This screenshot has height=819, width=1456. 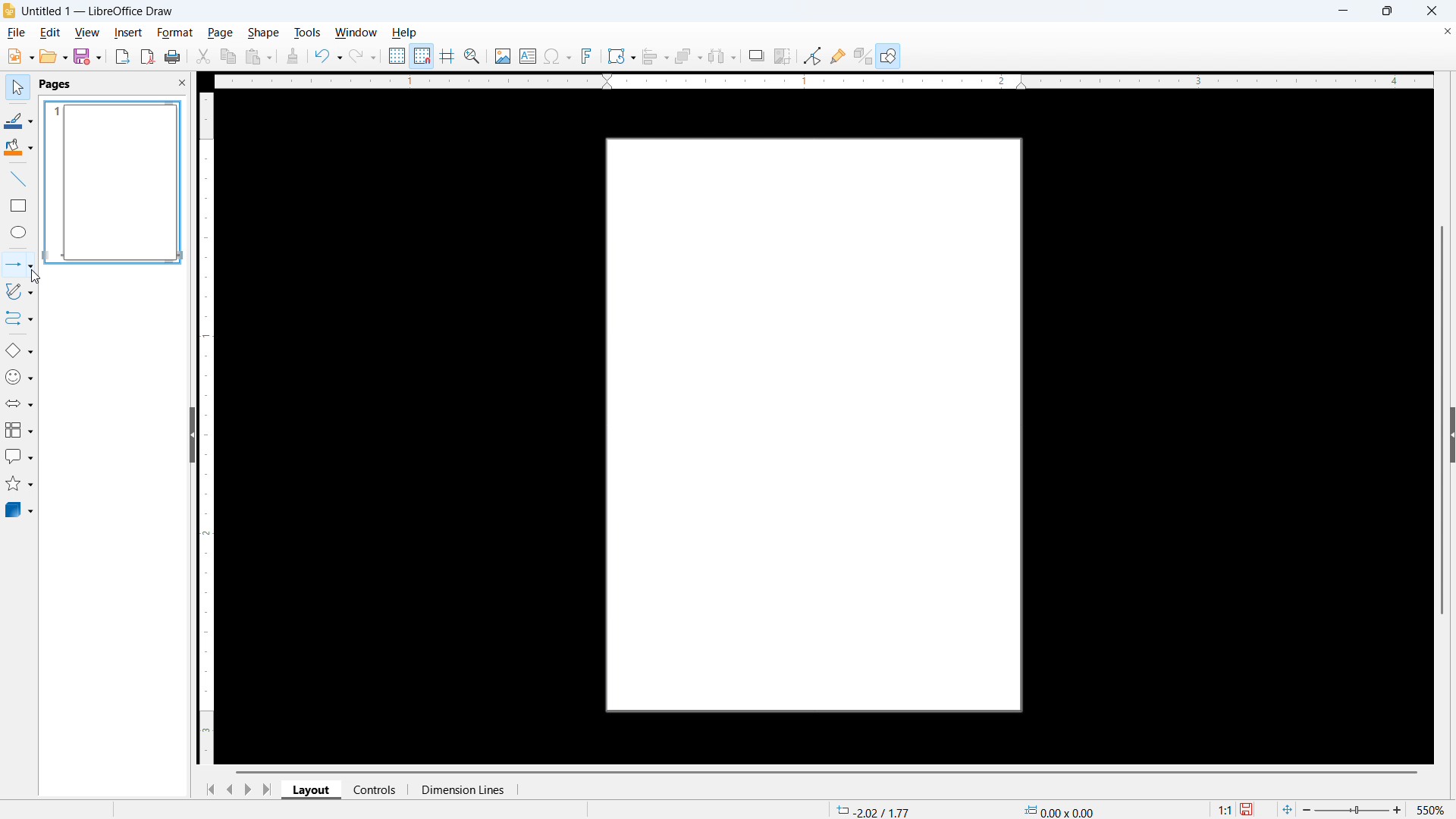 What do you see at coordinates (529, 55) in the screenshot?
I see `Insert text box ` at bounding box center [529, 55].